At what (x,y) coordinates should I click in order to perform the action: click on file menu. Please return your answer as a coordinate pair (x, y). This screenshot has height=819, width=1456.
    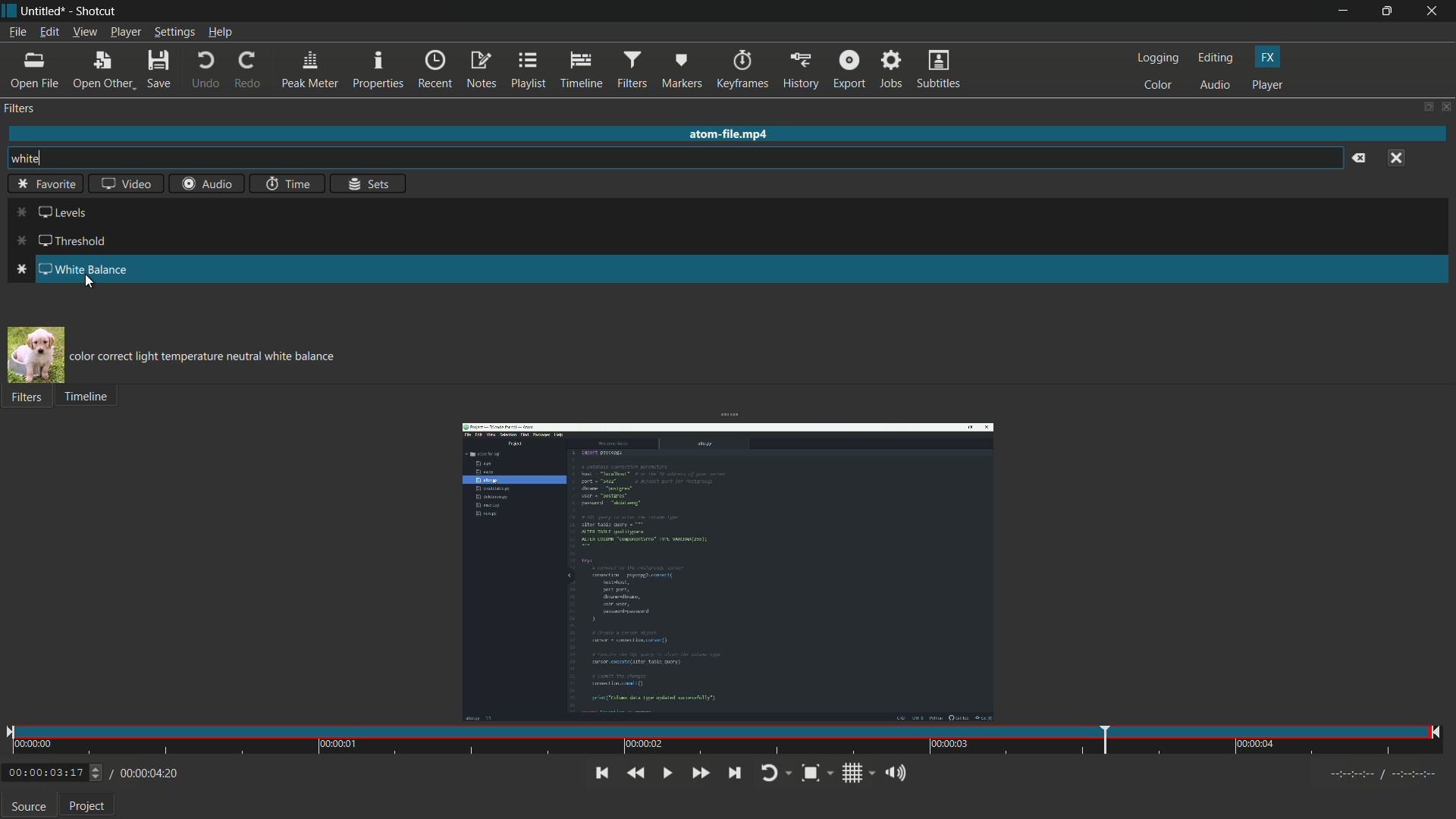
    Looking at the image, I should click on (17, 31).